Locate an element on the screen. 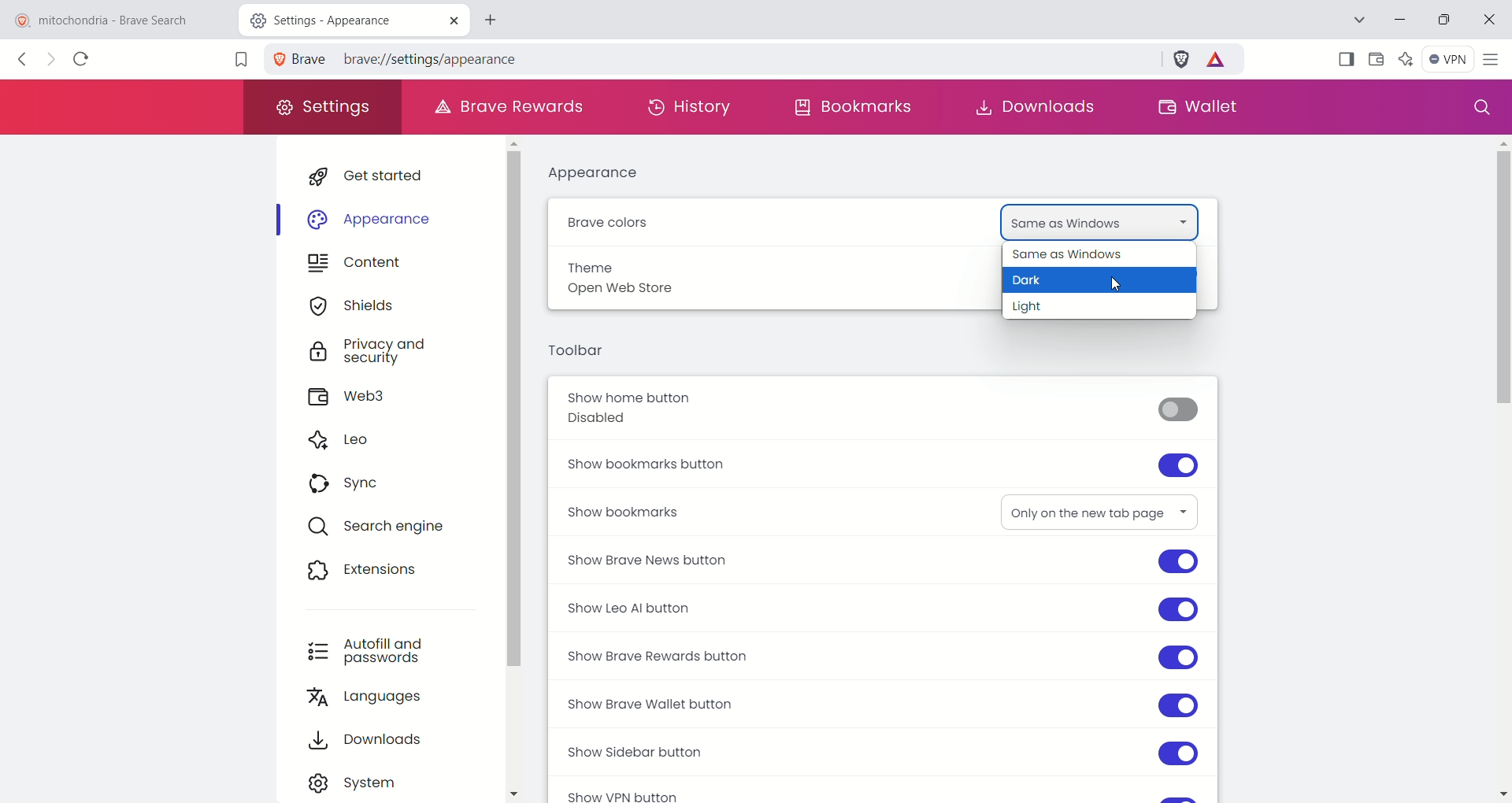  history is located at coordinates (692, 111).